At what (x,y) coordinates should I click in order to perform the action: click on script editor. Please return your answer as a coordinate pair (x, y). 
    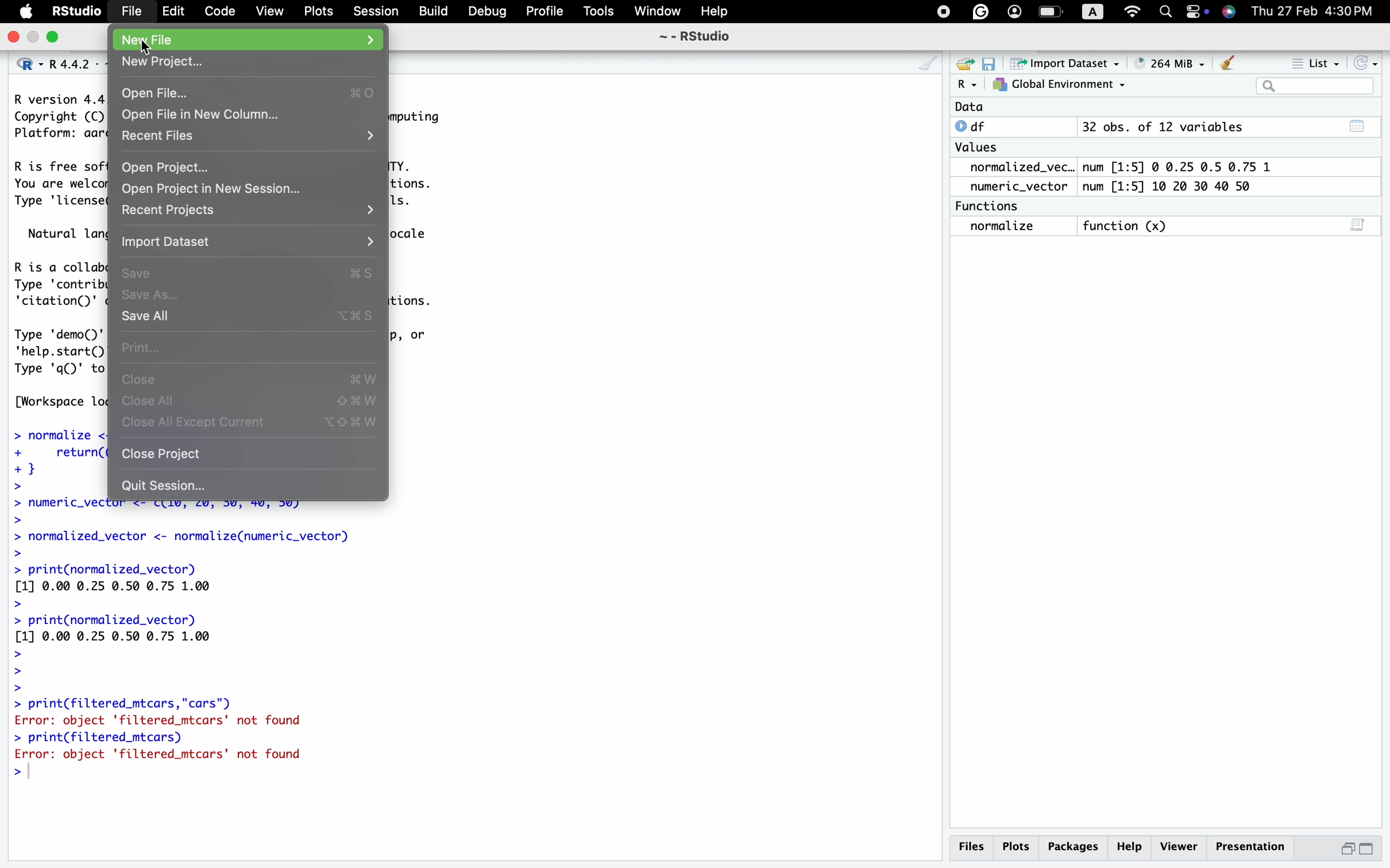
    Looking at the image, I should click on (1359, 223).